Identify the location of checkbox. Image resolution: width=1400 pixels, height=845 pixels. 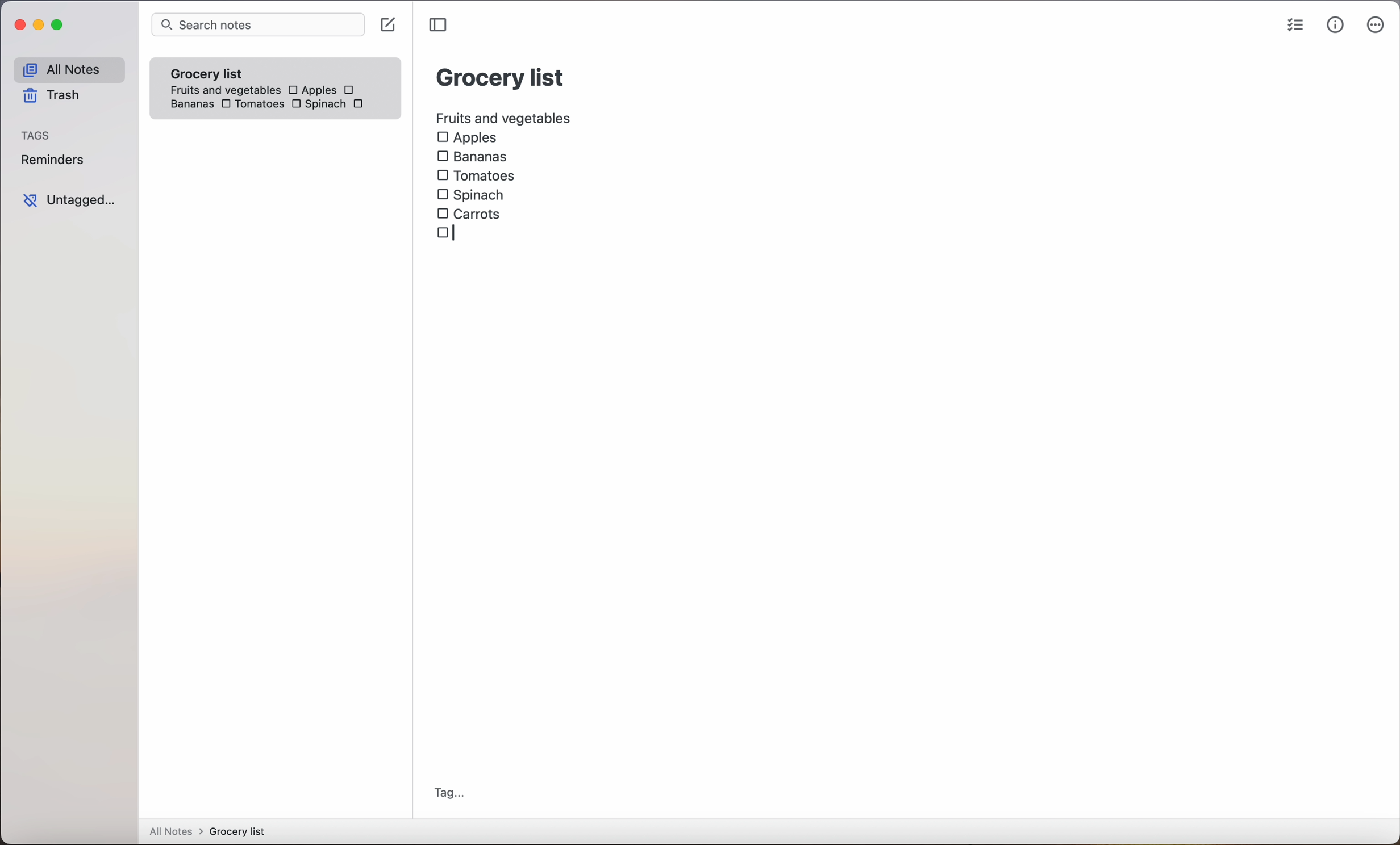
(444, 233).